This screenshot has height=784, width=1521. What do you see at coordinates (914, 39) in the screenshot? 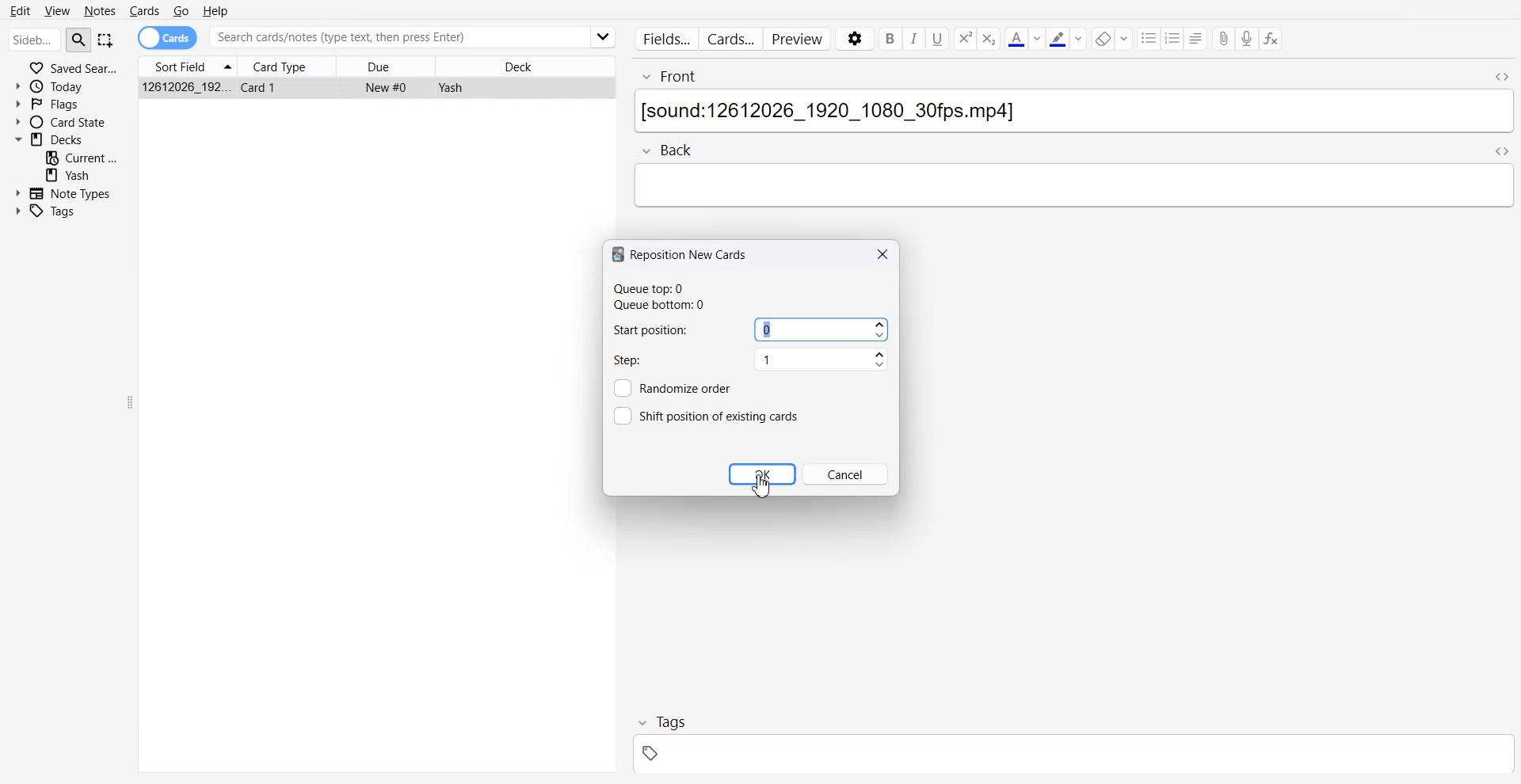
I see `Italic` at bounding box center [914, 39].